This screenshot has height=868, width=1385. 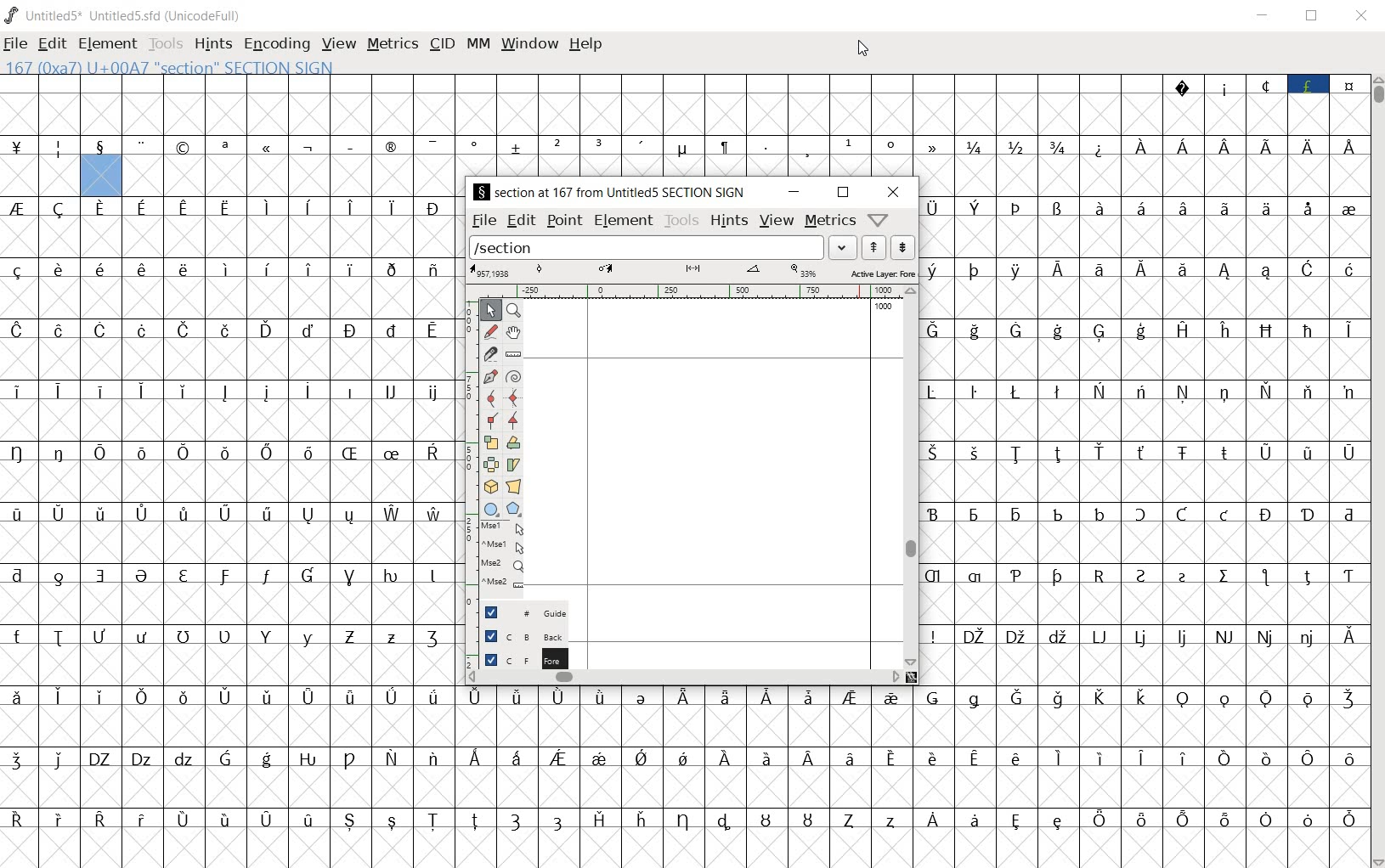 What do you see at coordinates (911, 474) in the screenshot?
I see `scrollbar` at bounding box center [911, 474].